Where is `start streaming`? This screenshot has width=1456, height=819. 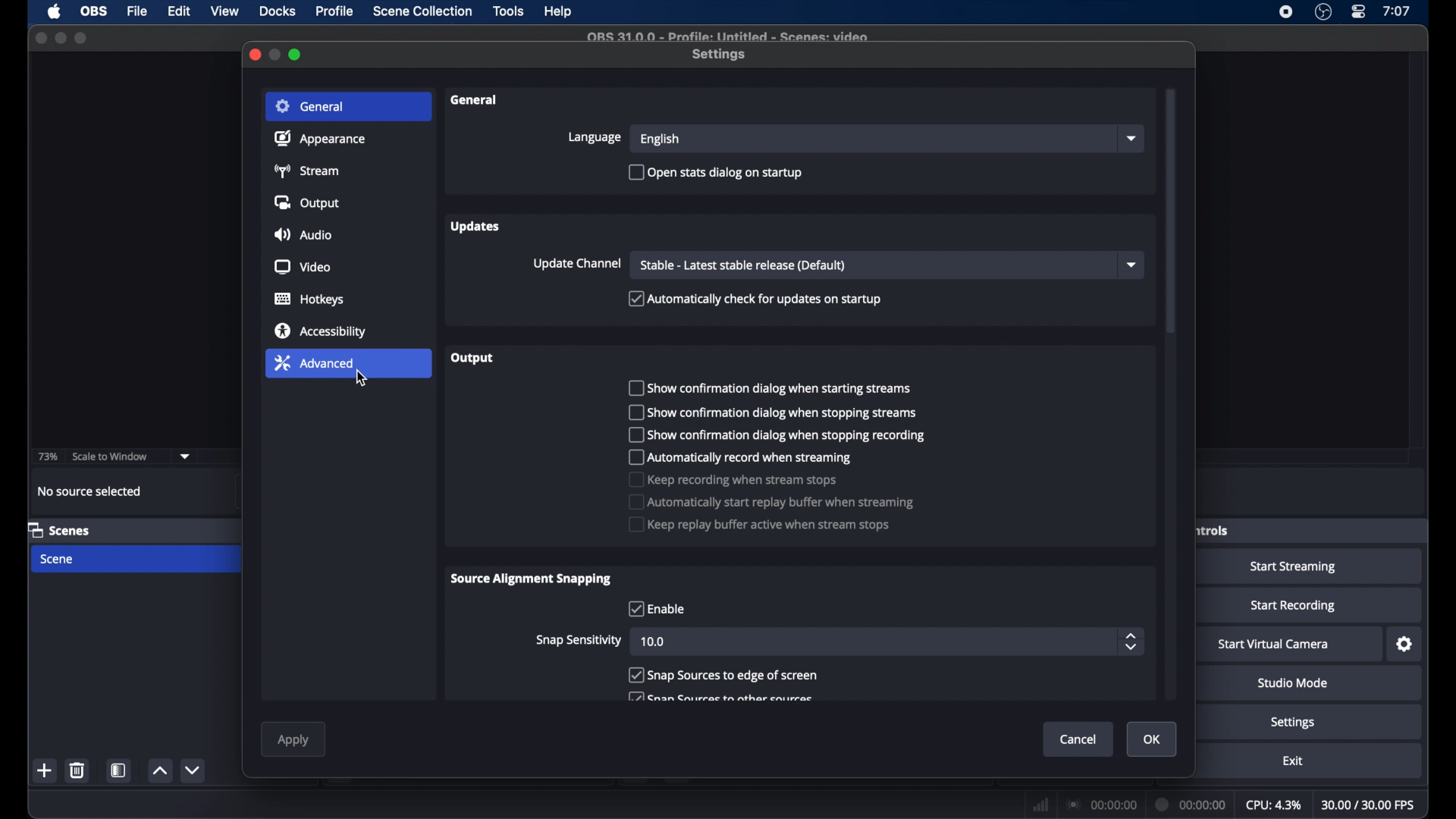
start streaming is located at coordinates (1294, 567).